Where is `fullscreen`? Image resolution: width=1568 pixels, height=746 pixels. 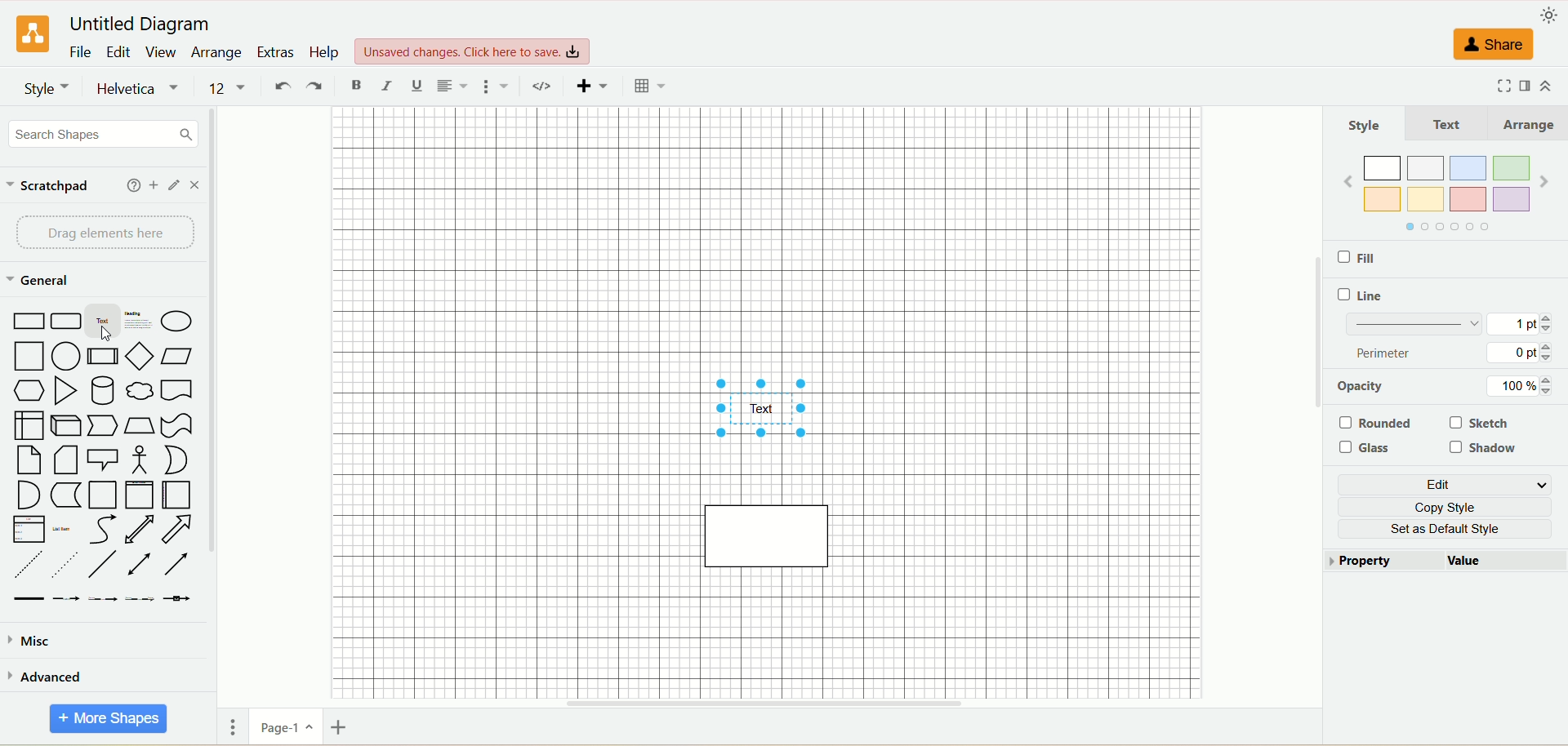 fullscreen is located at coordinates (1488, 87).